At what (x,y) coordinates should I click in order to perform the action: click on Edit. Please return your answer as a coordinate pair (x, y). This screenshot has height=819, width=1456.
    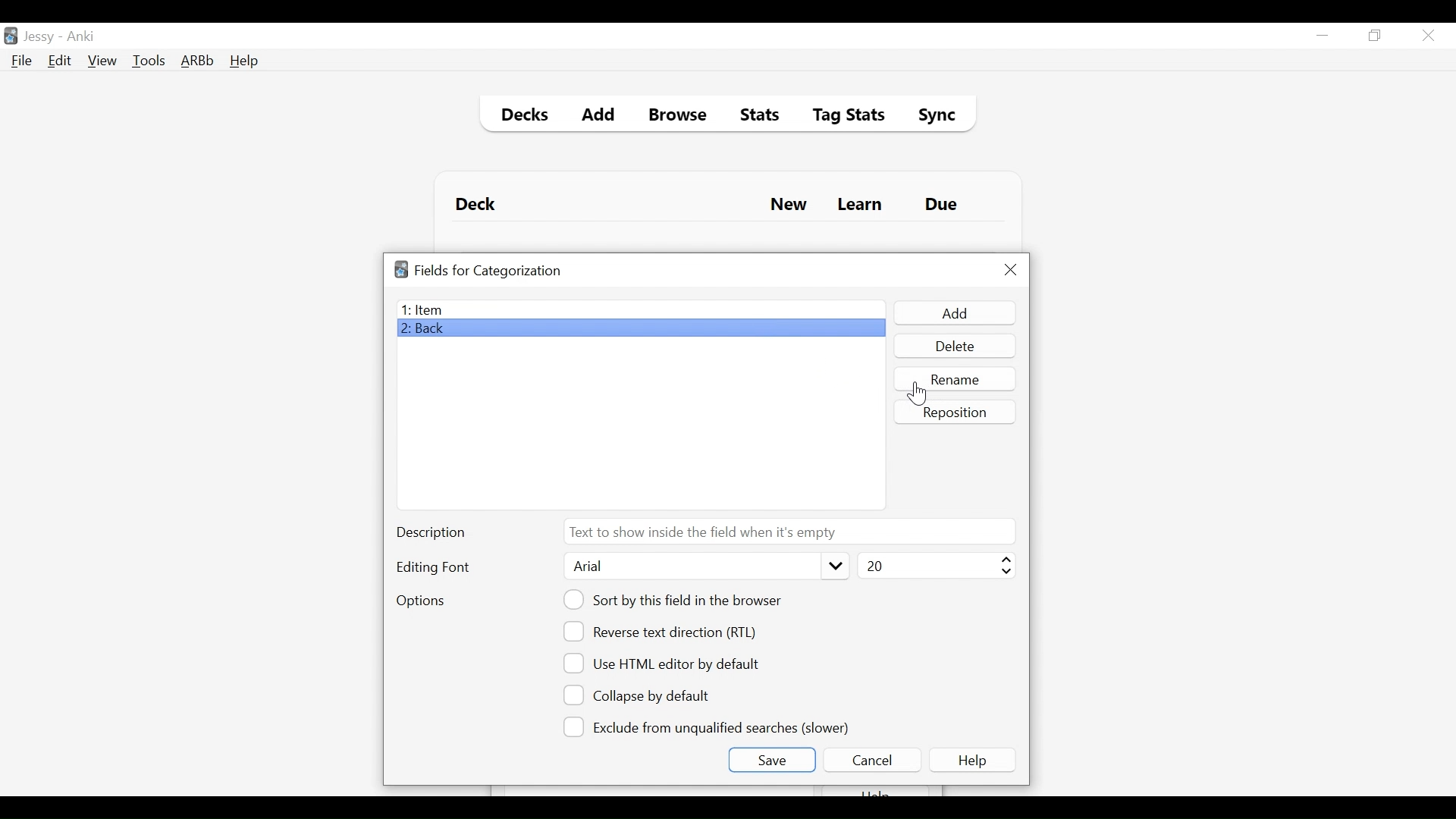
    Looking at the image, I should click on (58, 62).